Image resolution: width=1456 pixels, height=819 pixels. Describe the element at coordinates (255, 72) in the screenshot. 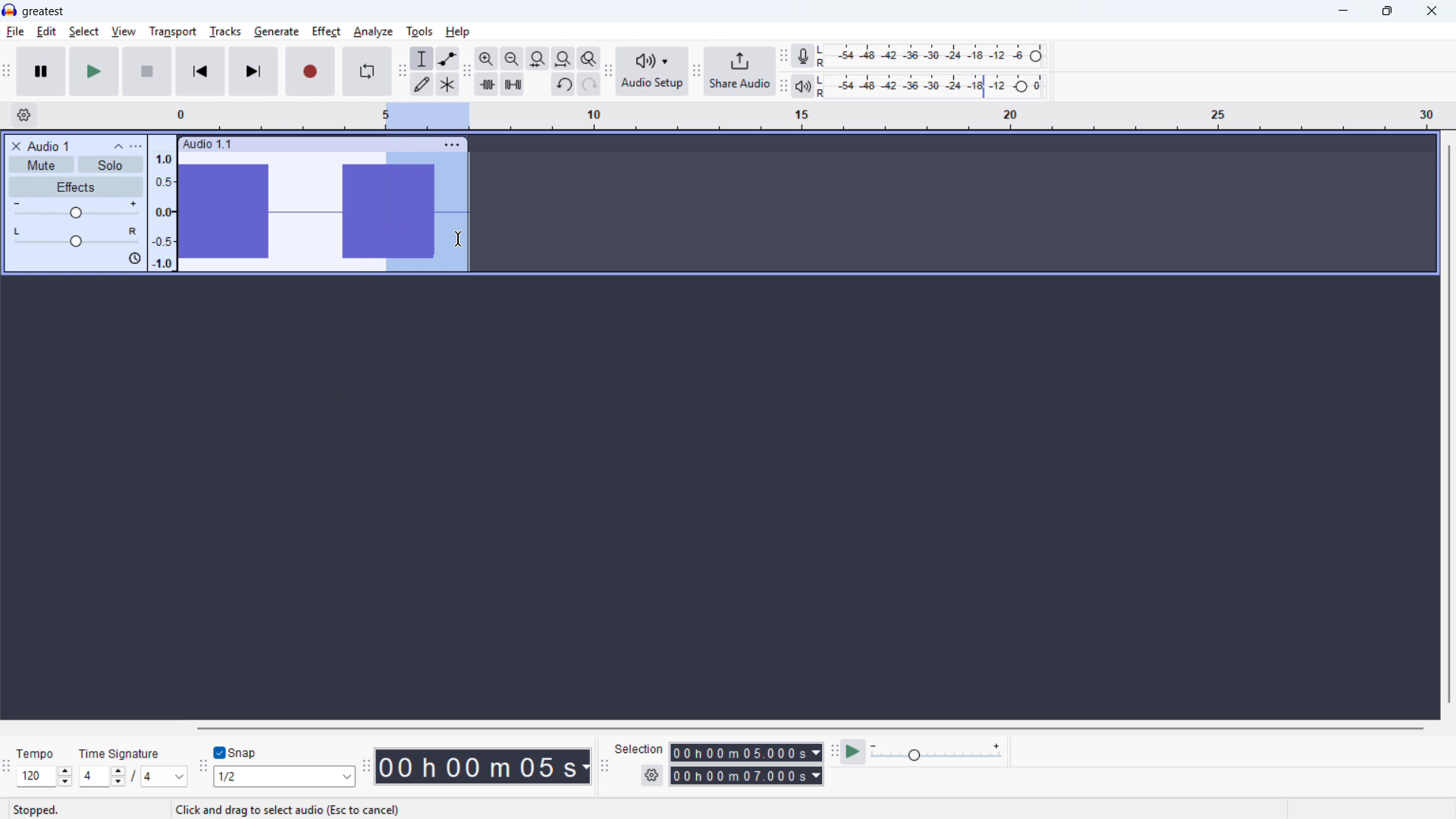

I see `Skip to end ` at that location.